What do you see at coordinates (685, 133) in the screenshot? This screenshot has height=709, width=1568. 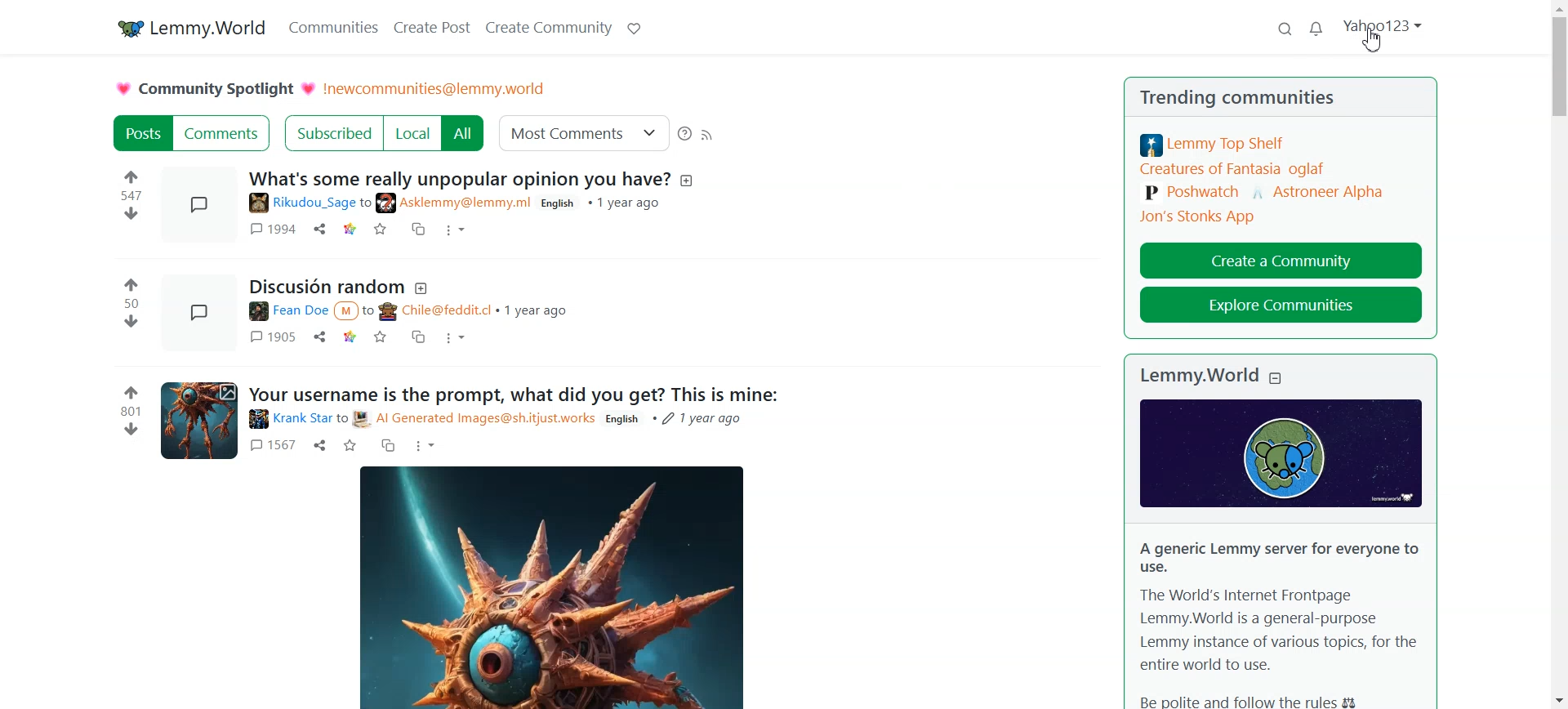 I see `Sorting Help` at bounding box center [685, 133].